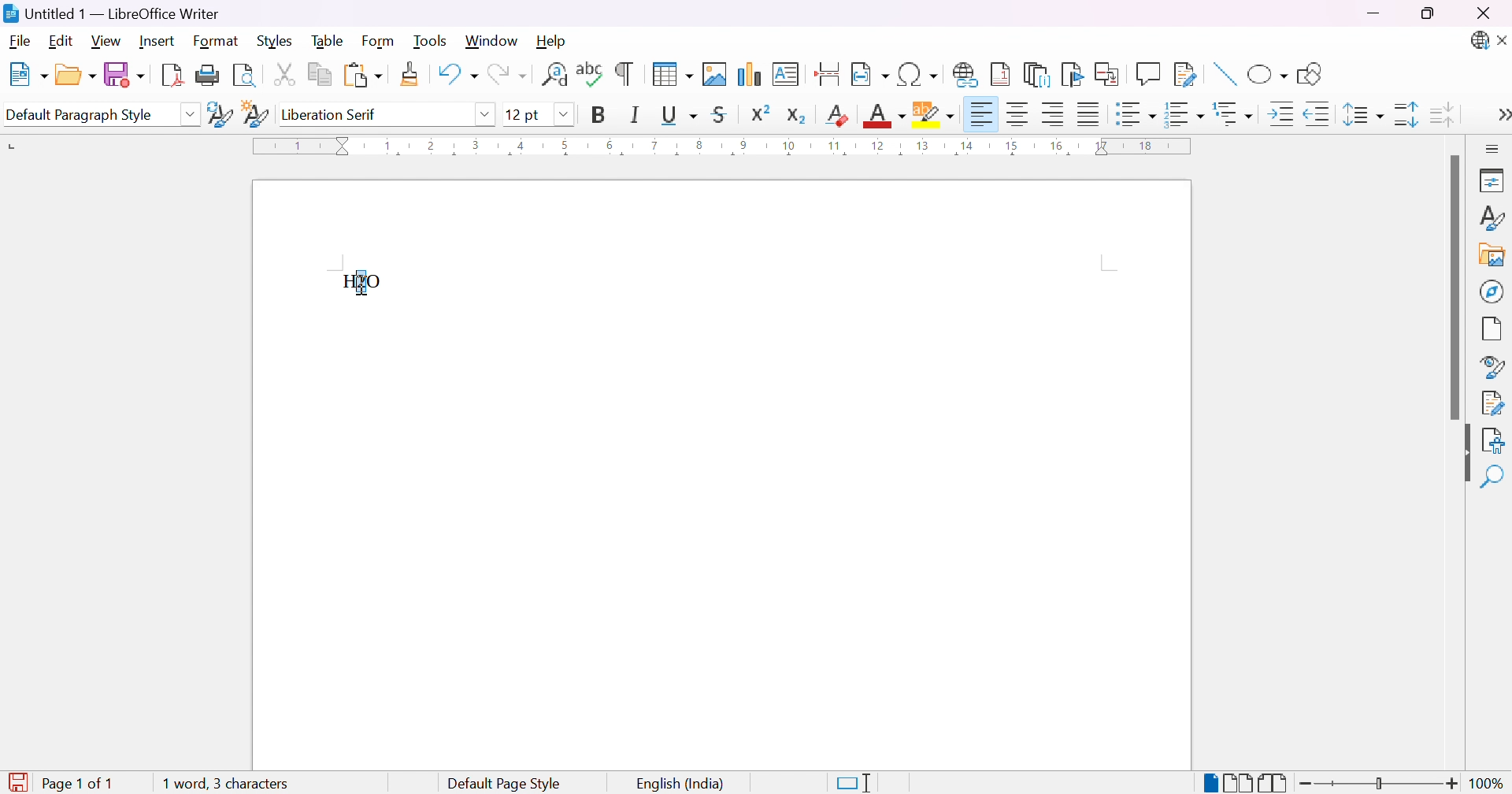  Describe the element at coordinates (759, 113) in the screenshot. I see `Superscript` at that location.